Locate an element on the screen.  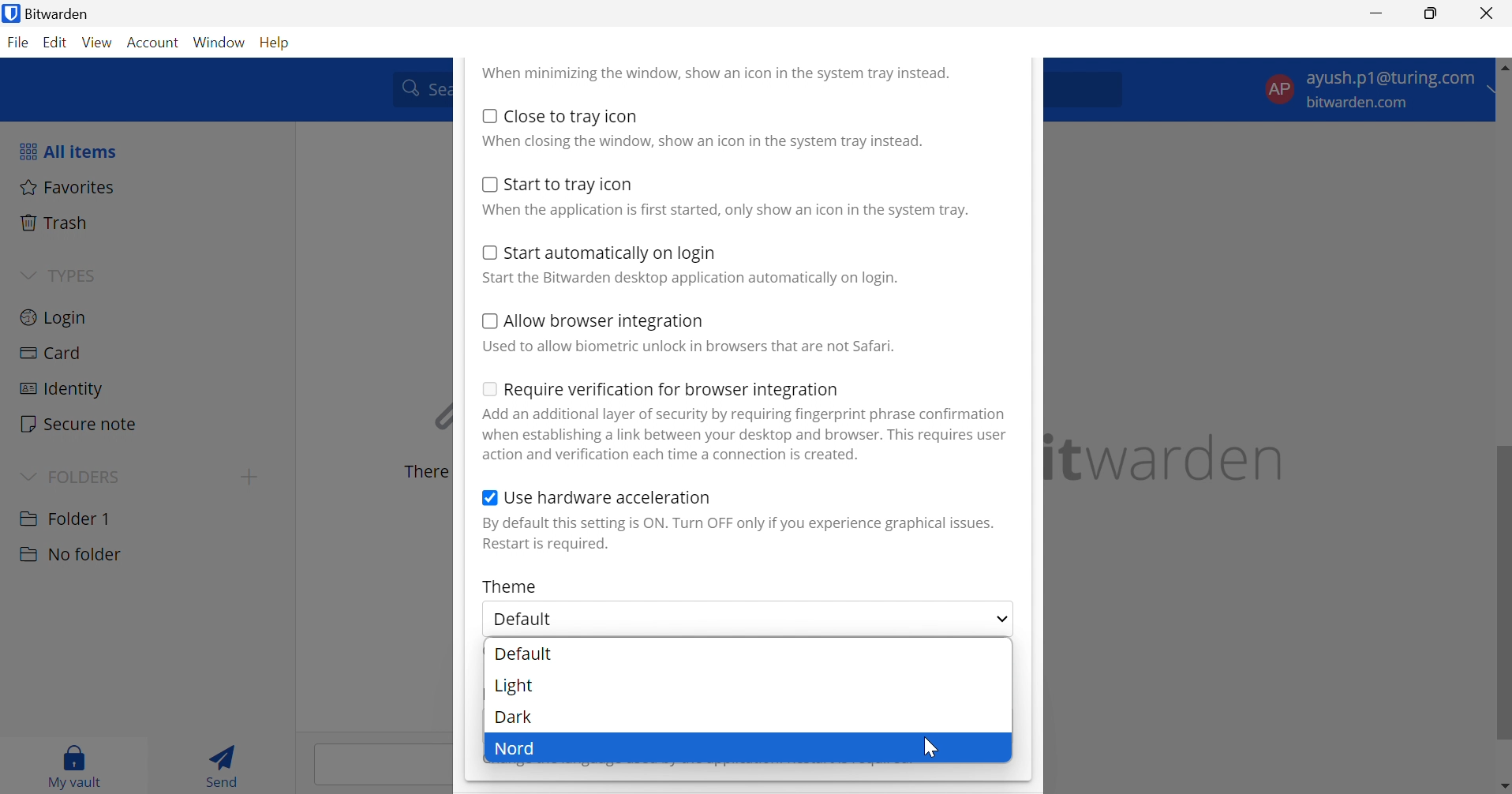
When closing the window show an icon in the system tray instead is located at coordinates (702, 140).